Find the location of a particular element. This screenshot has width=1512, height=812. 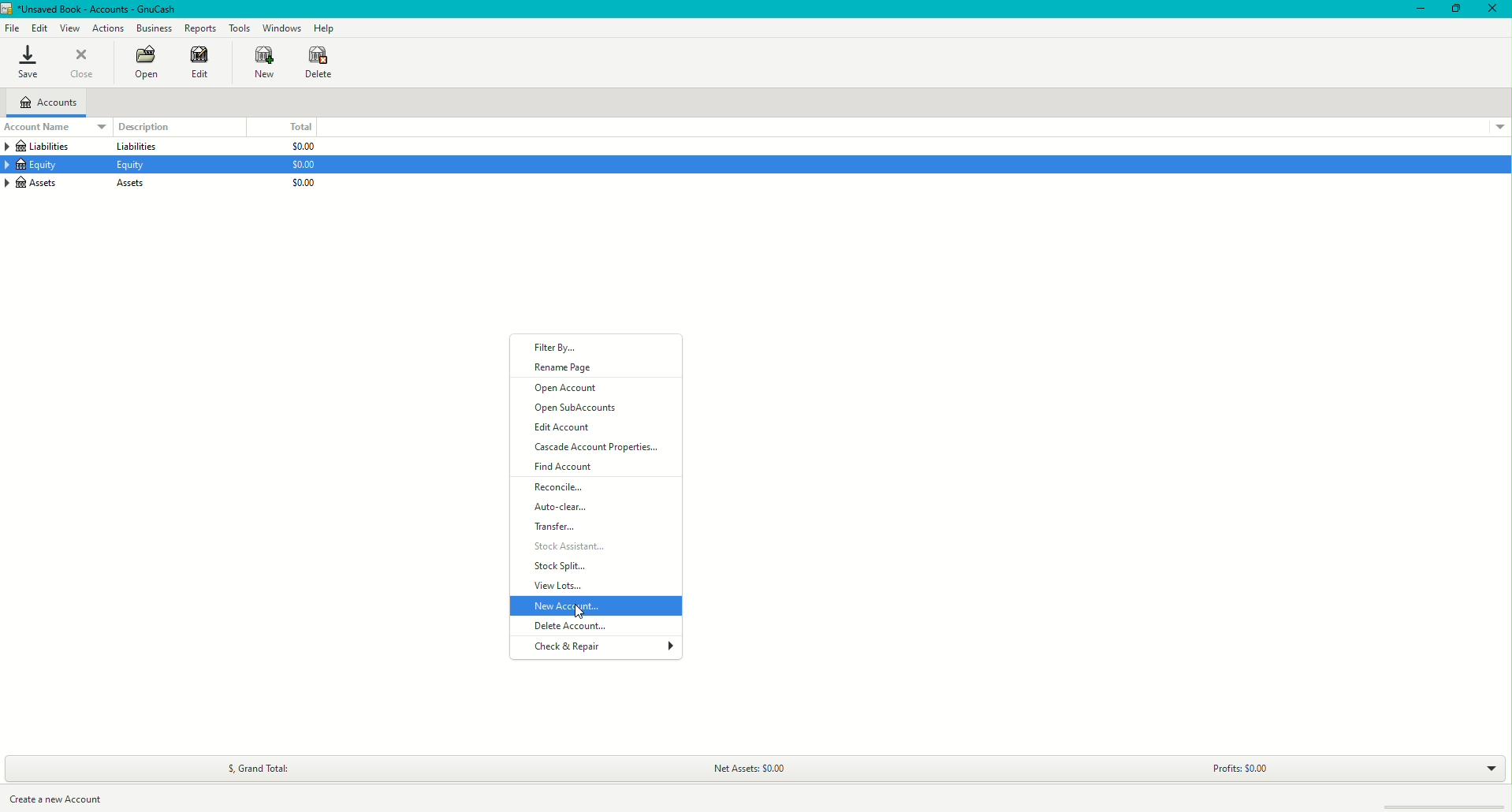

Reconcile is located at coordinates (557, 489).